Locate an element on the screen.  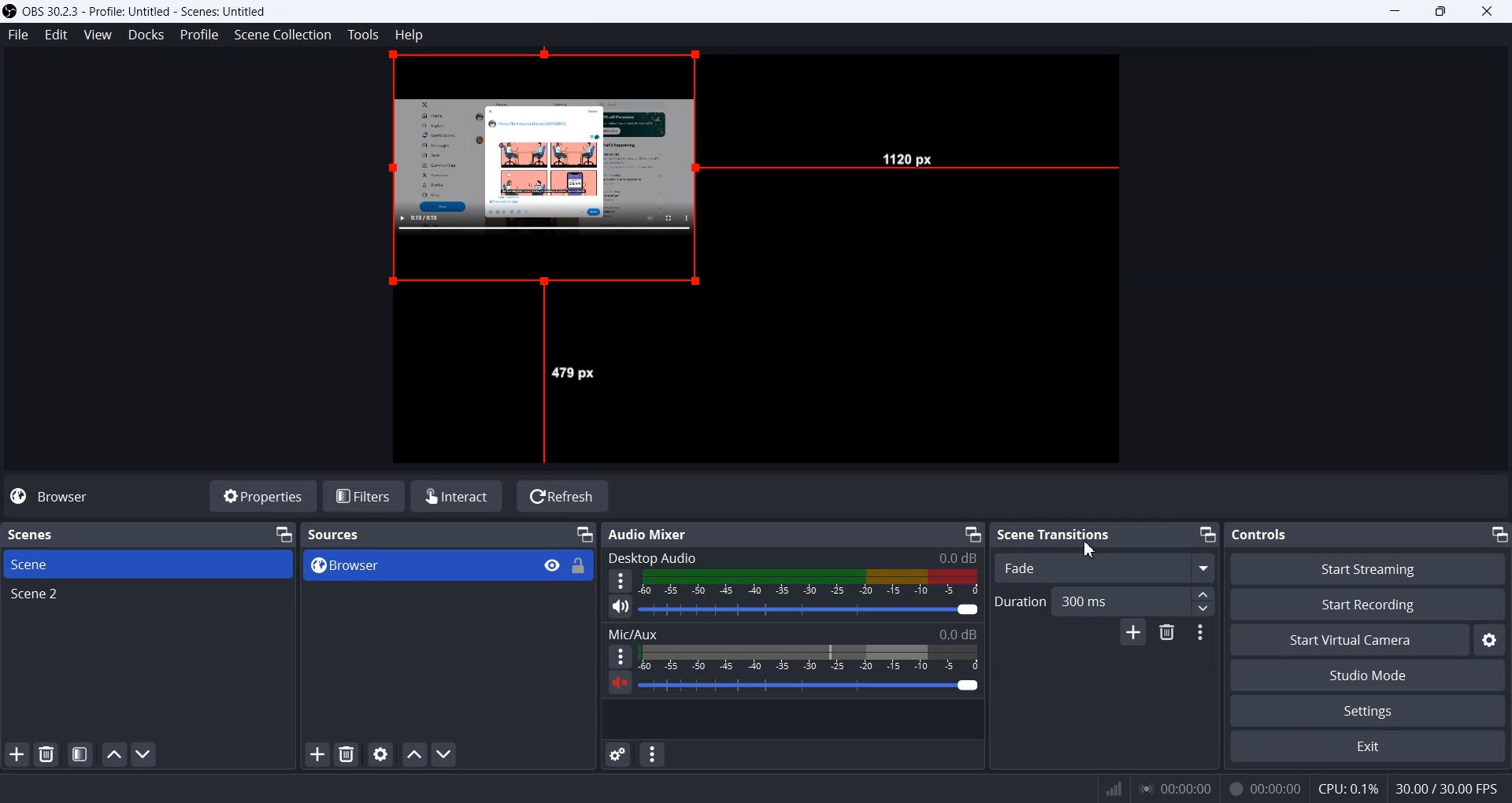
Move scene down is located at coordinates (144, 754).